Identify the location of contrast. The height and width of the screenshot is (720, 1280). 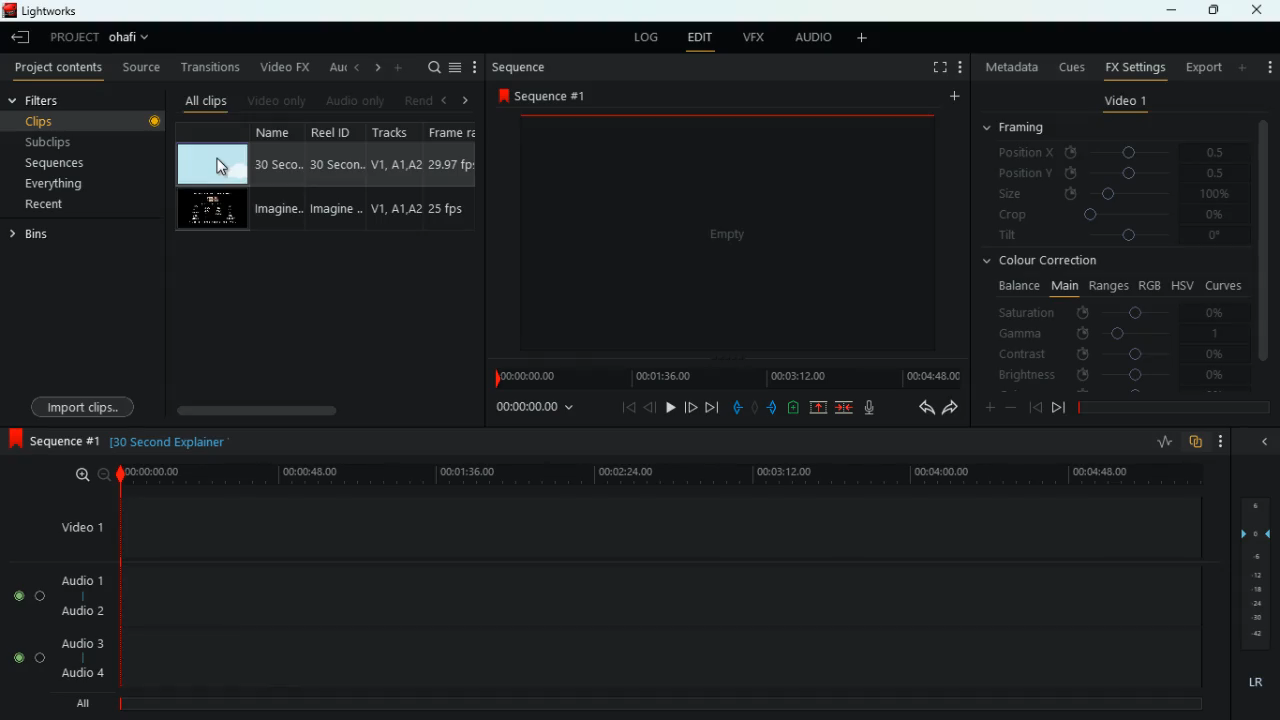
(1110, 355).